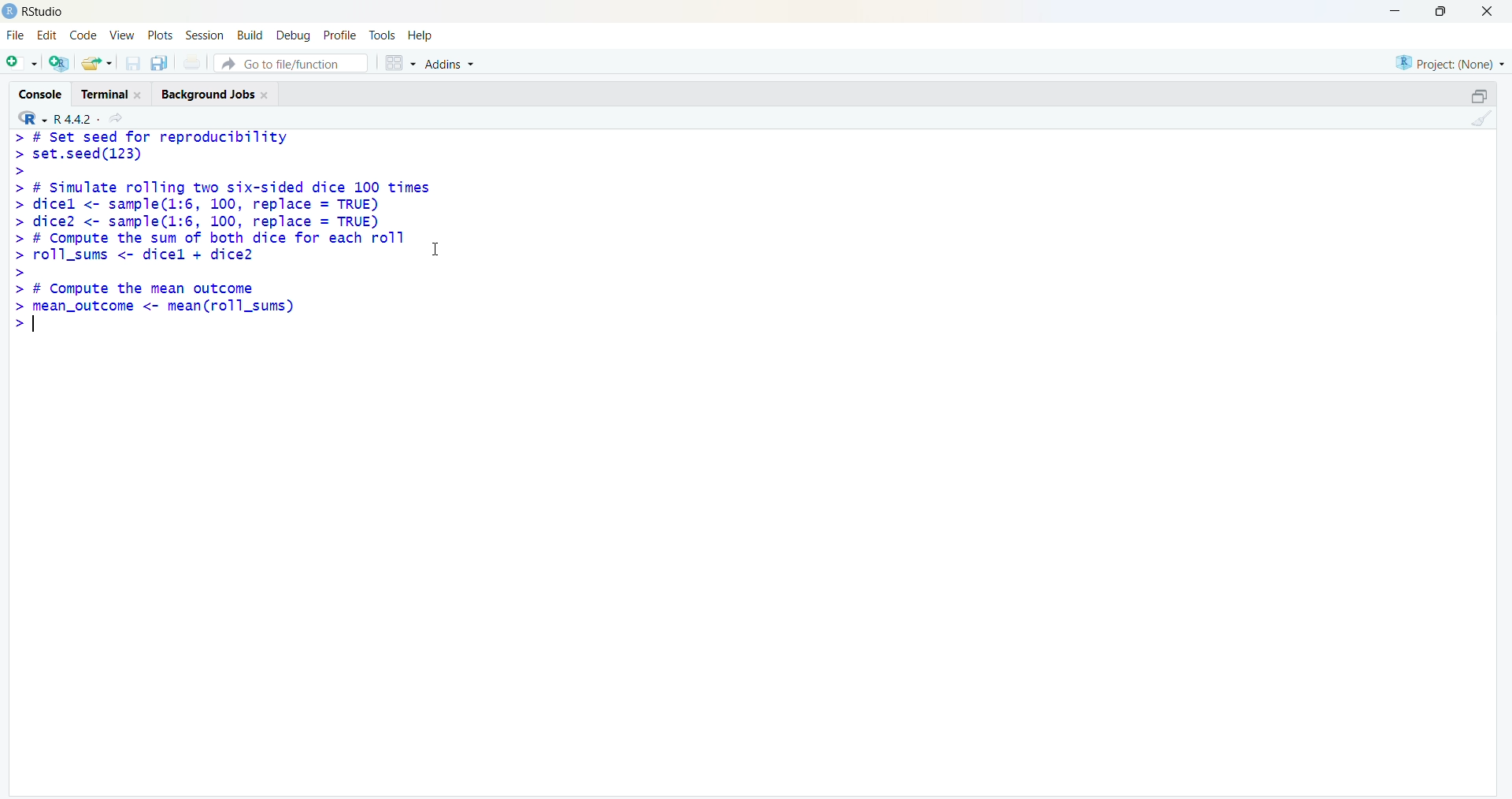  Describe the element at coordinates (132, 63) in the screenshot. I see `save` at that location.